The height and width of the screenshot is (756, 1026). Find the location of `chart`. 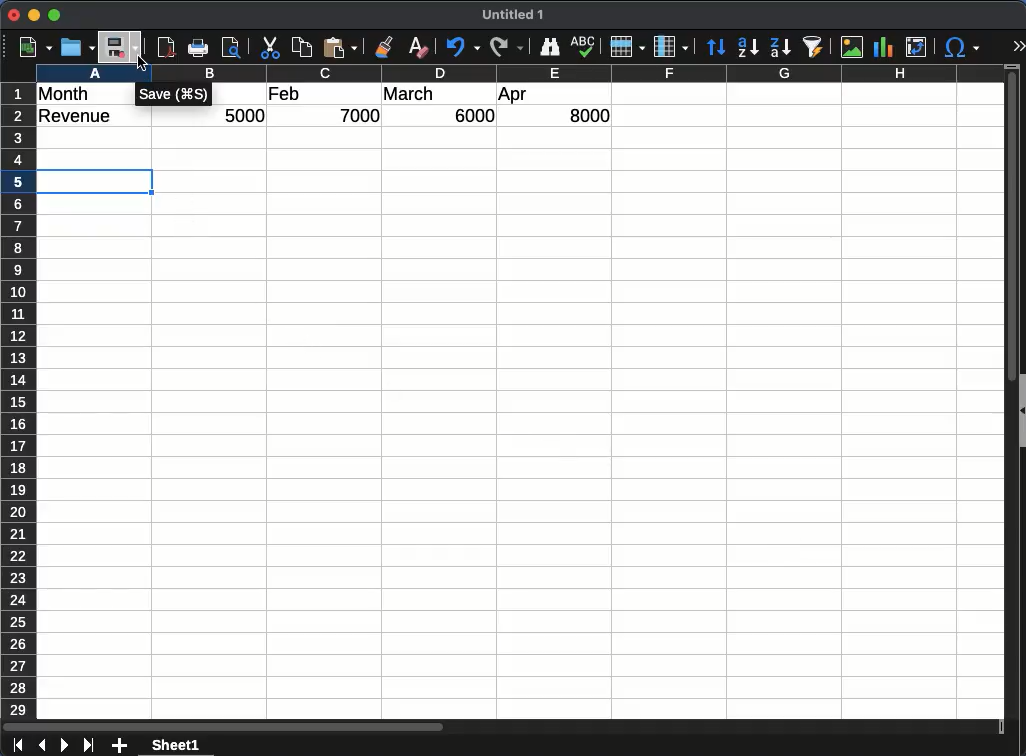

chart is located at coordinates (881, 46).